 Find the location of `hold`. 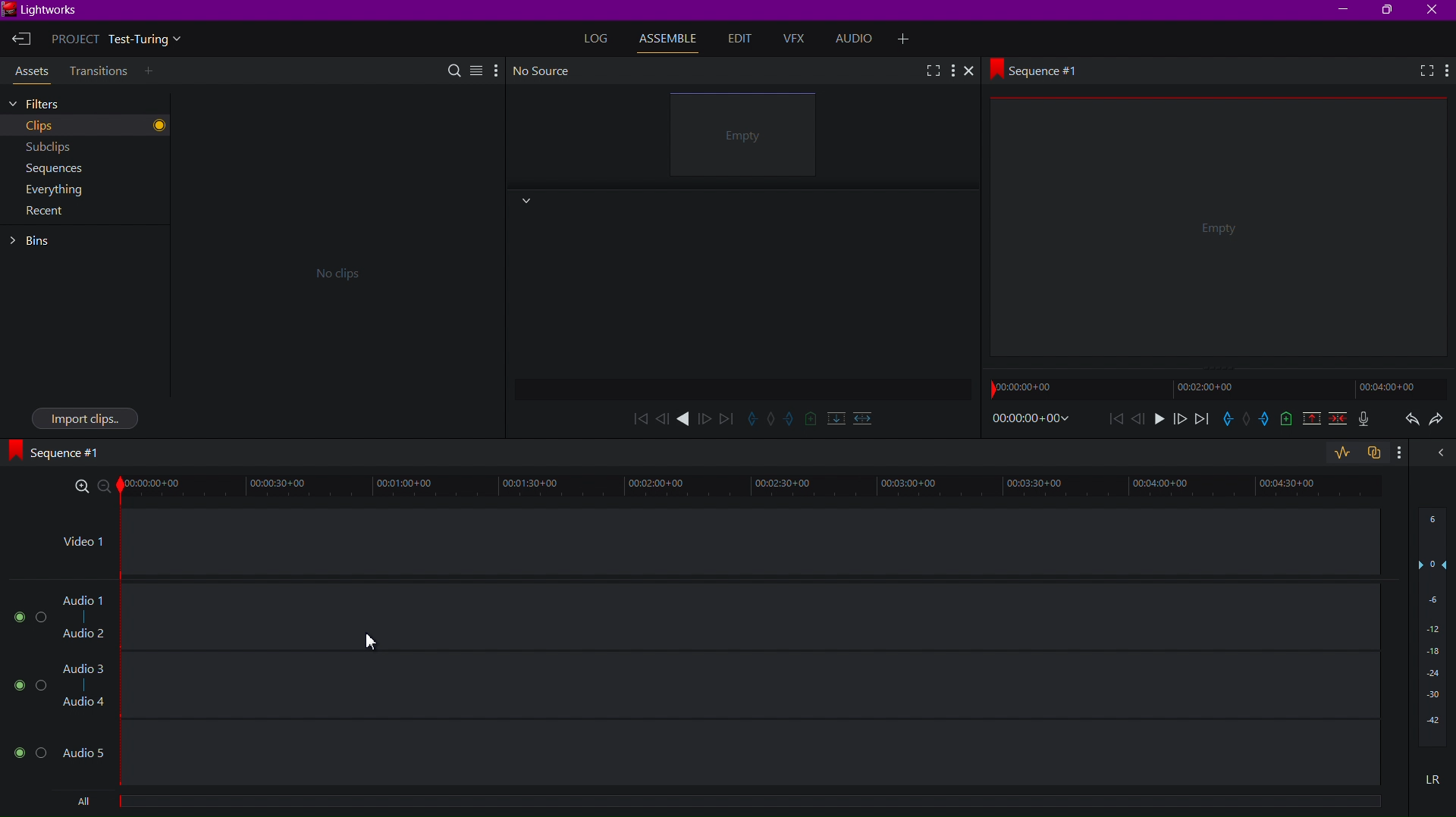

hold is located at coordinates (1247, 420).